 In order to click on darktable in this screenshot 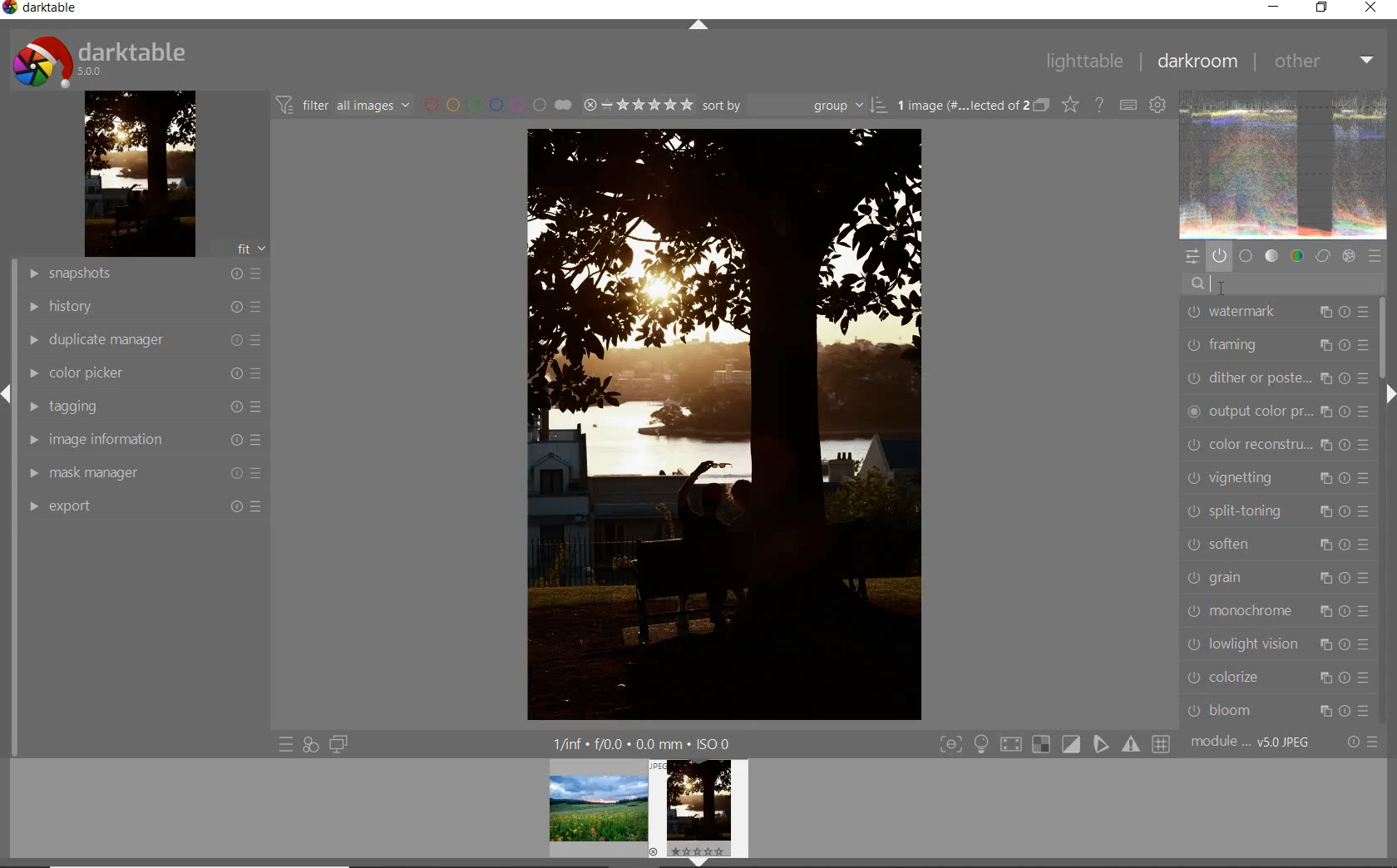, I will do `click(99, 59)`.